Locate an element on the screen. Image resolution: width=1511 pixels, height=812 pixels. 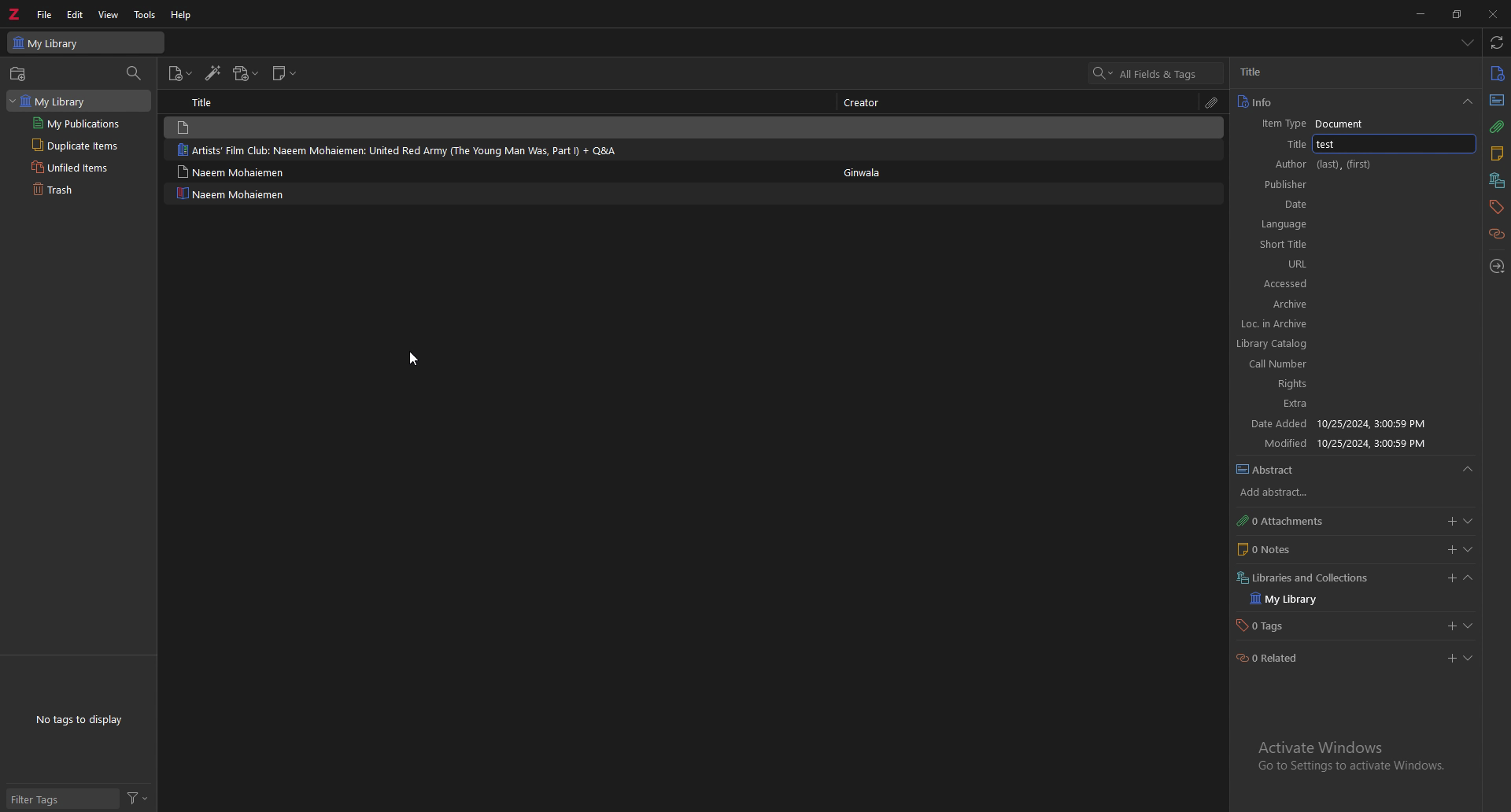
related is located at coordinates (1498, 233).